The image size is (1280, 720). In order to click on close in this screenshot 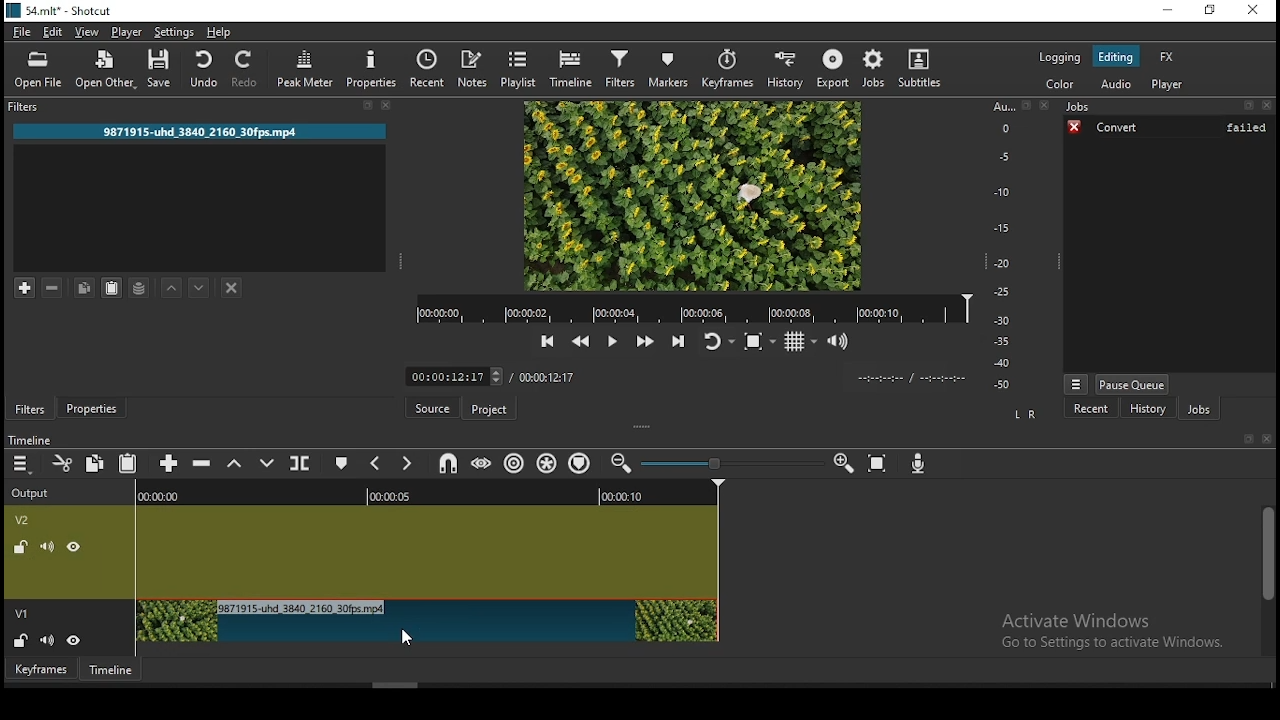, I will do `click(1267, 437)`.